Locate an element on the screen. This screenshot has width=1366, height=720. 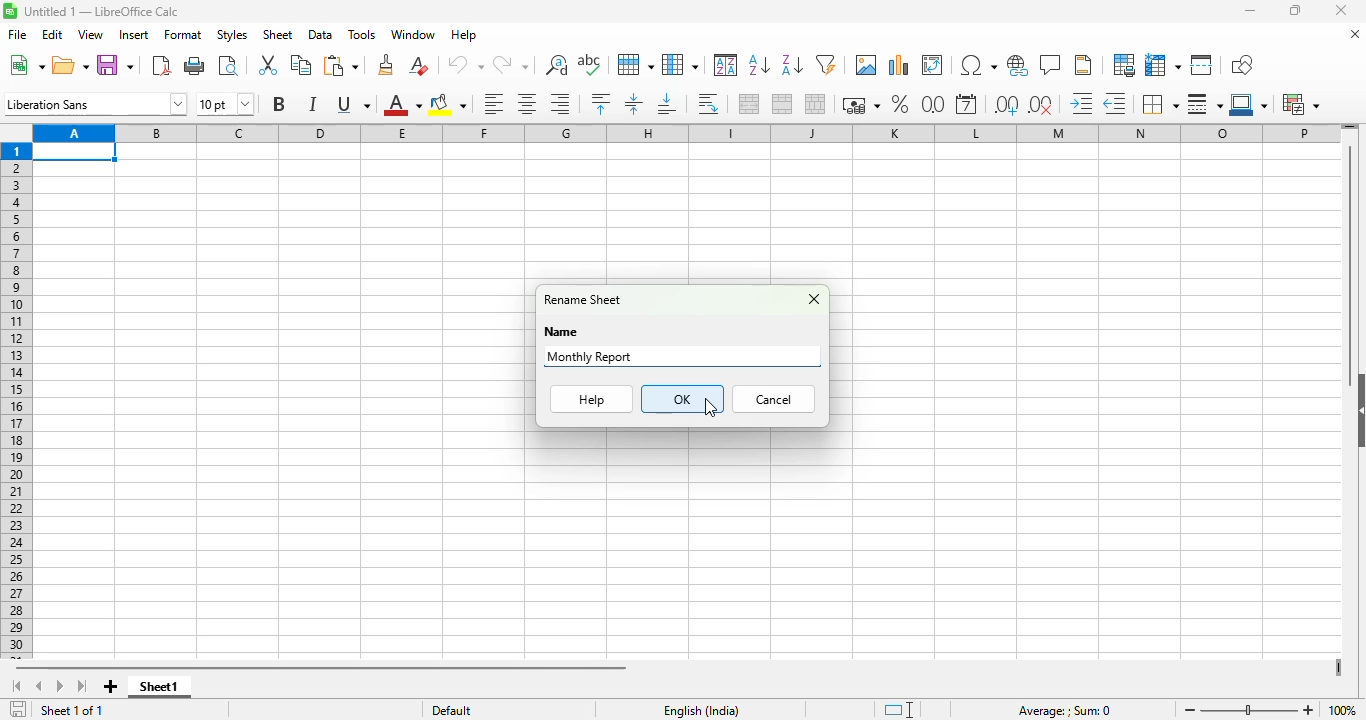
border style is located at coordinates (1205, 105).